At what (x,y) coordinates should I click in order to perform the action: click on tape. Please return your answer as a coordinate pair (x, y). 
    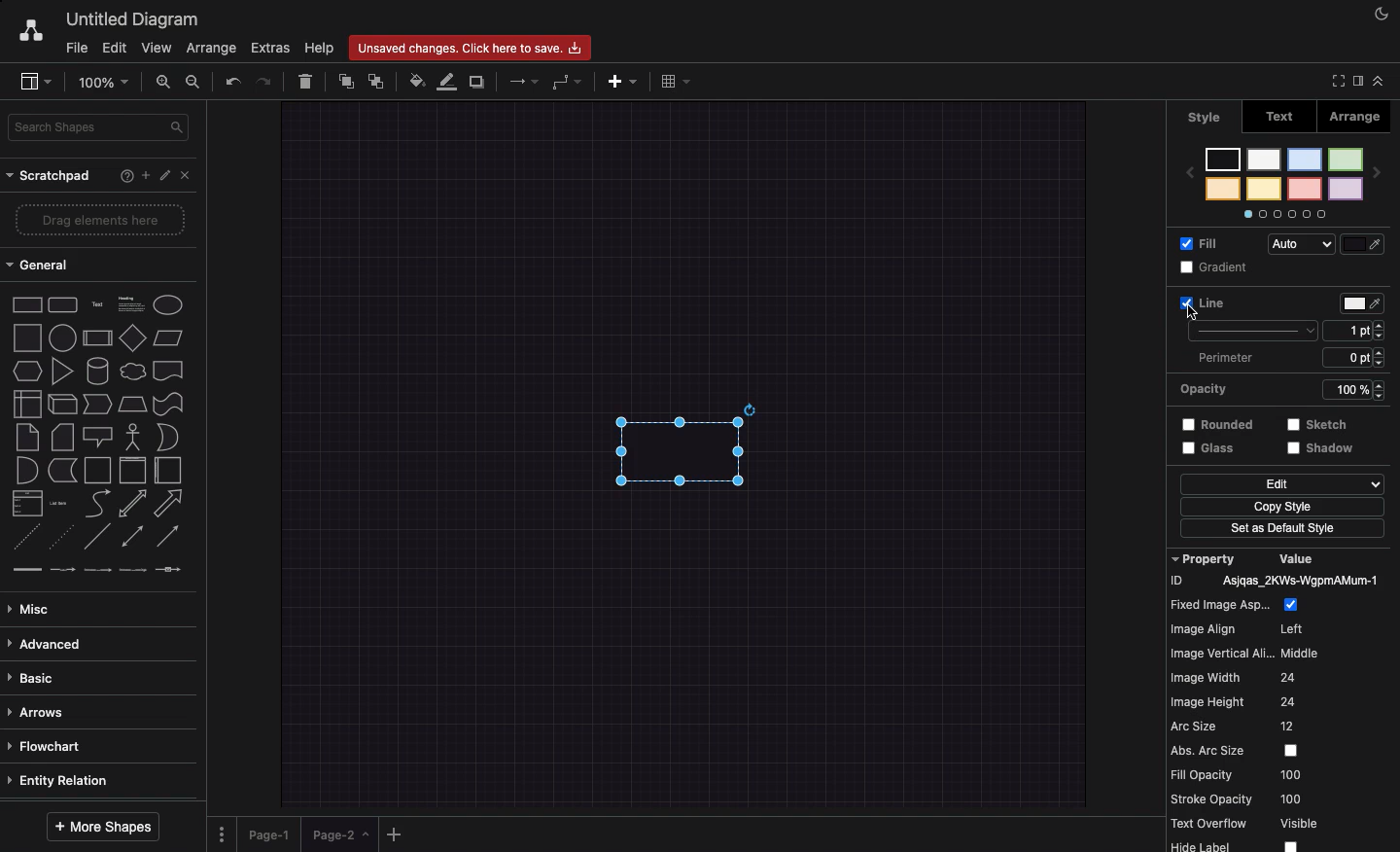
    Looking at the image, I should click on (166, 404).